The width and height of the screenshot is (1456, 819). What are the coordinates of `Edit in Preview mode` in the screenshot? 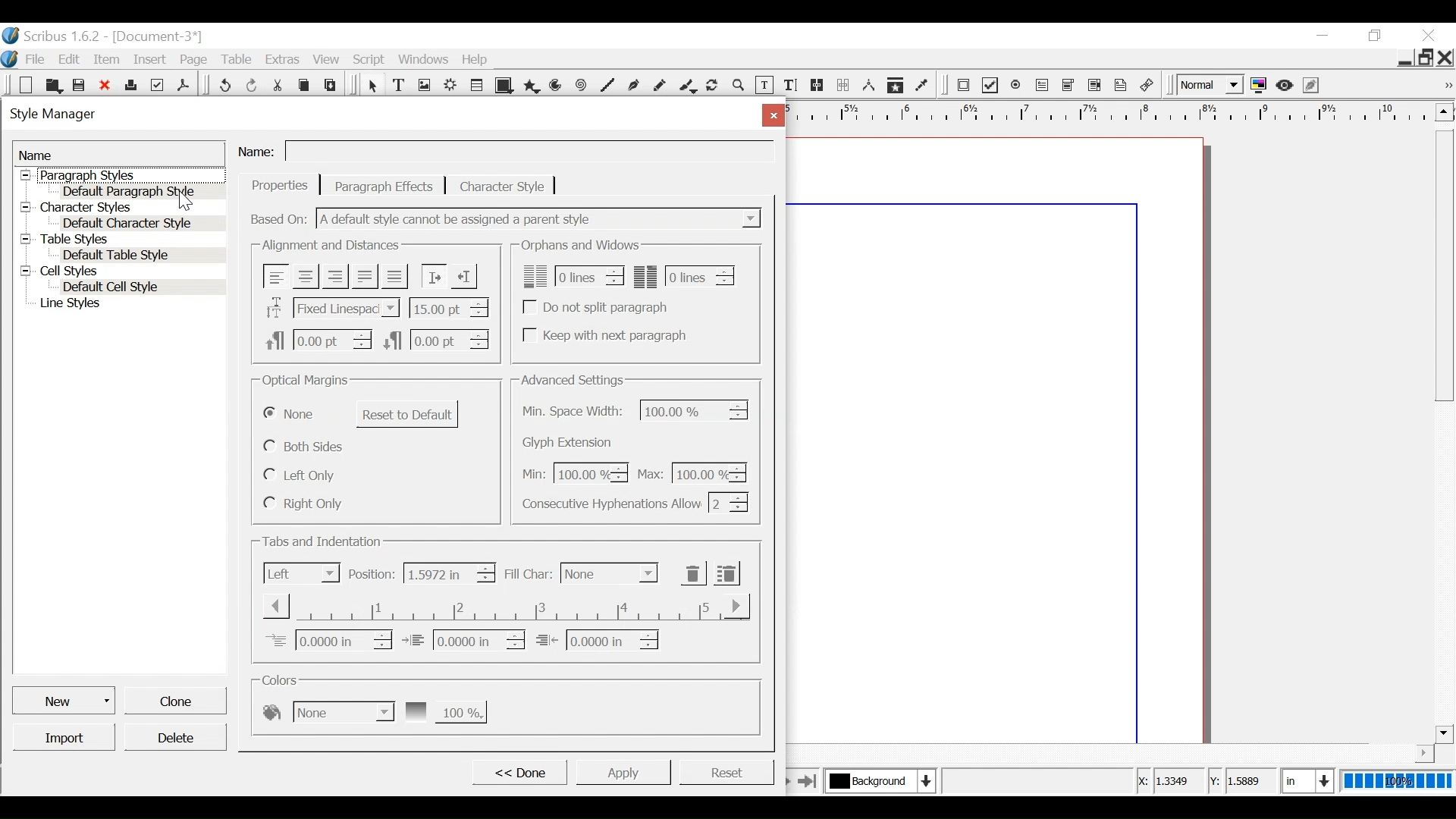 It's located at (1313, 85).